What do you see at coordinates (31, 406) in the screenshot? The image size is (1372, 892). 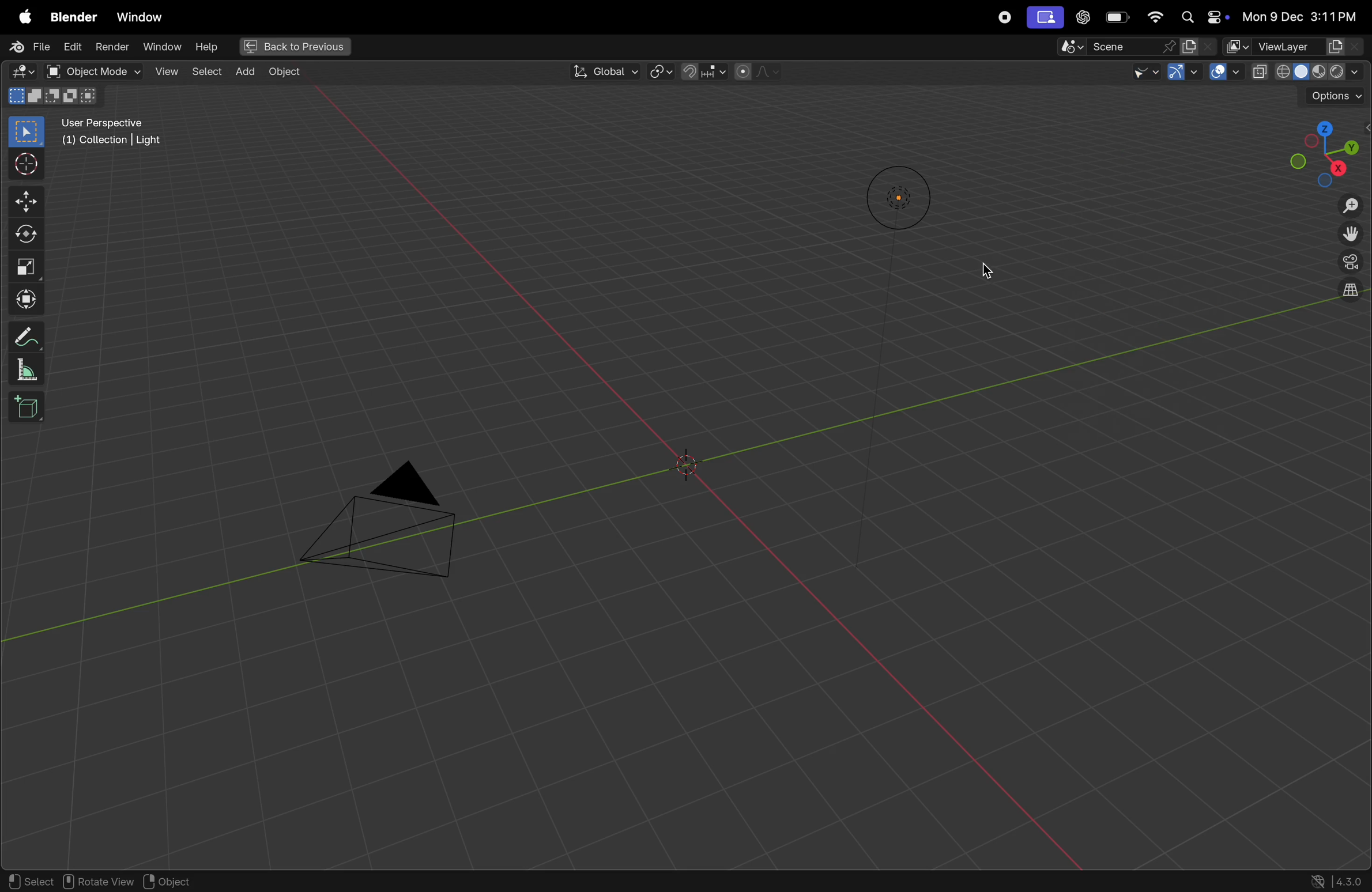 I see `add 3d cube` at bounding box center [31, 406].